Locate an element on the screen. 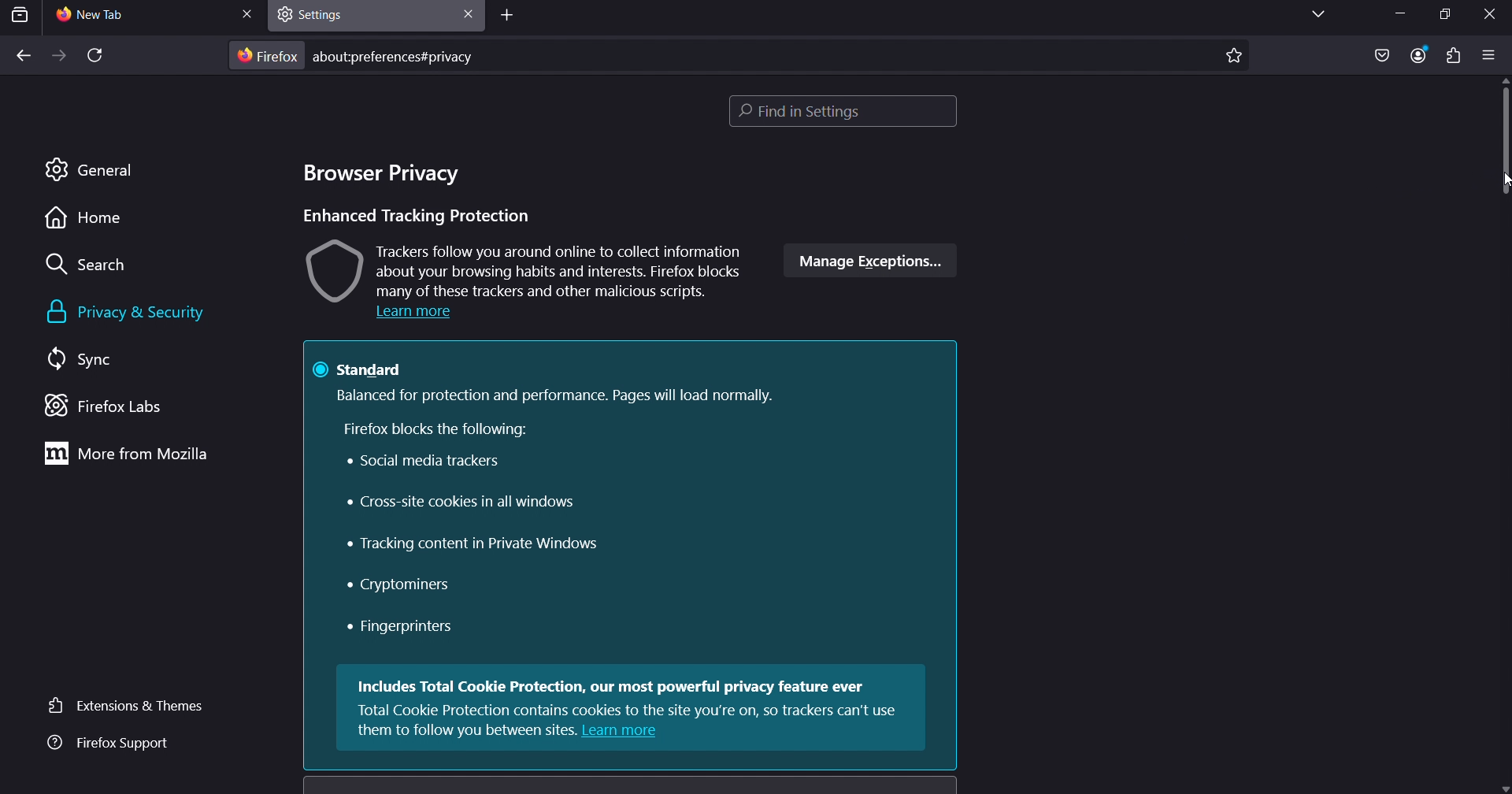 The image size is (1512, 794). them to follow you between sites is located at coordinates (463, 734).